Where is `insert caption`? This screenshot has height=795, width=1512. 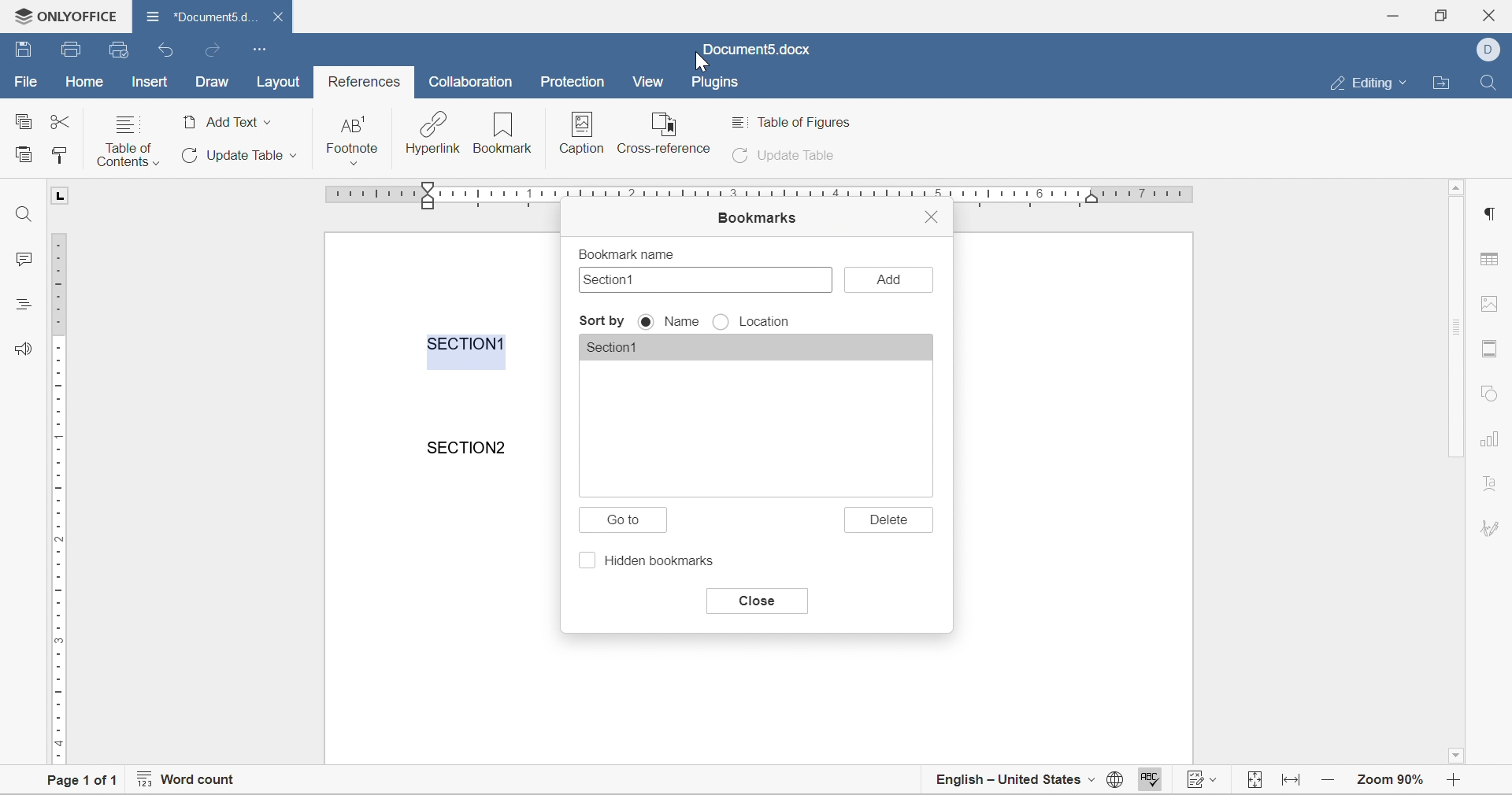 insert caption is located at coordinates (580, 134).